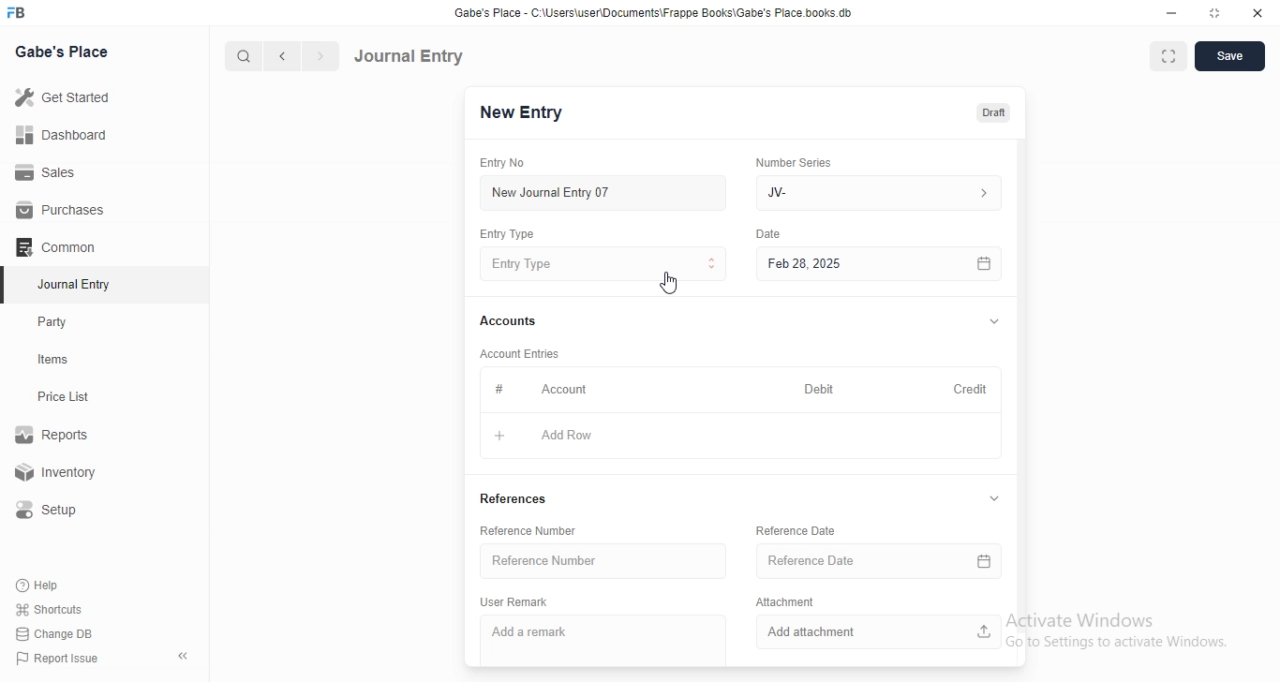 The image size is (1280, 682). Describe the element at coordinates (555, 392) in the screenshot. I see `# Account` at that location.